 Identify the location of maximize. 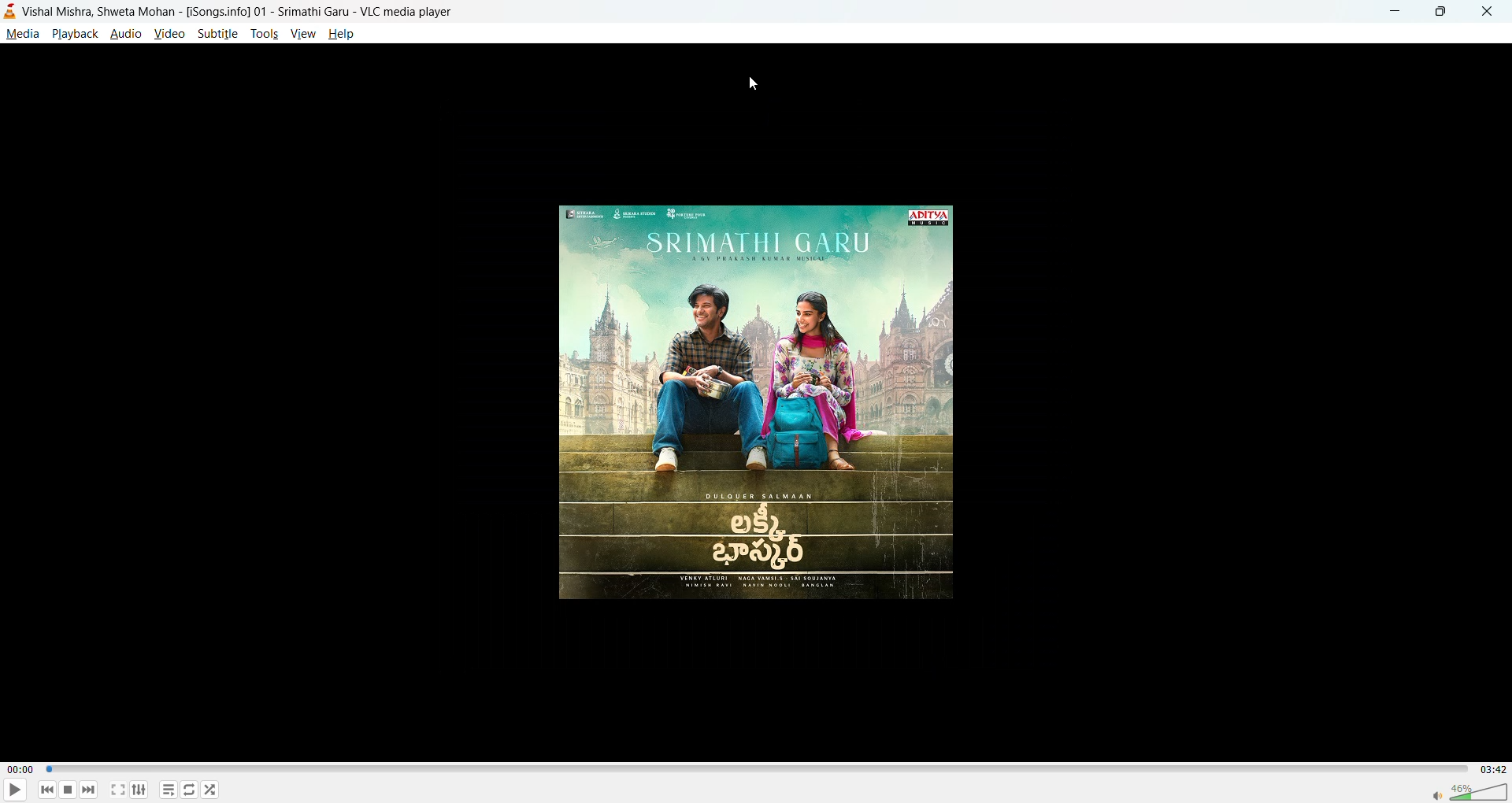
(1436, 13).